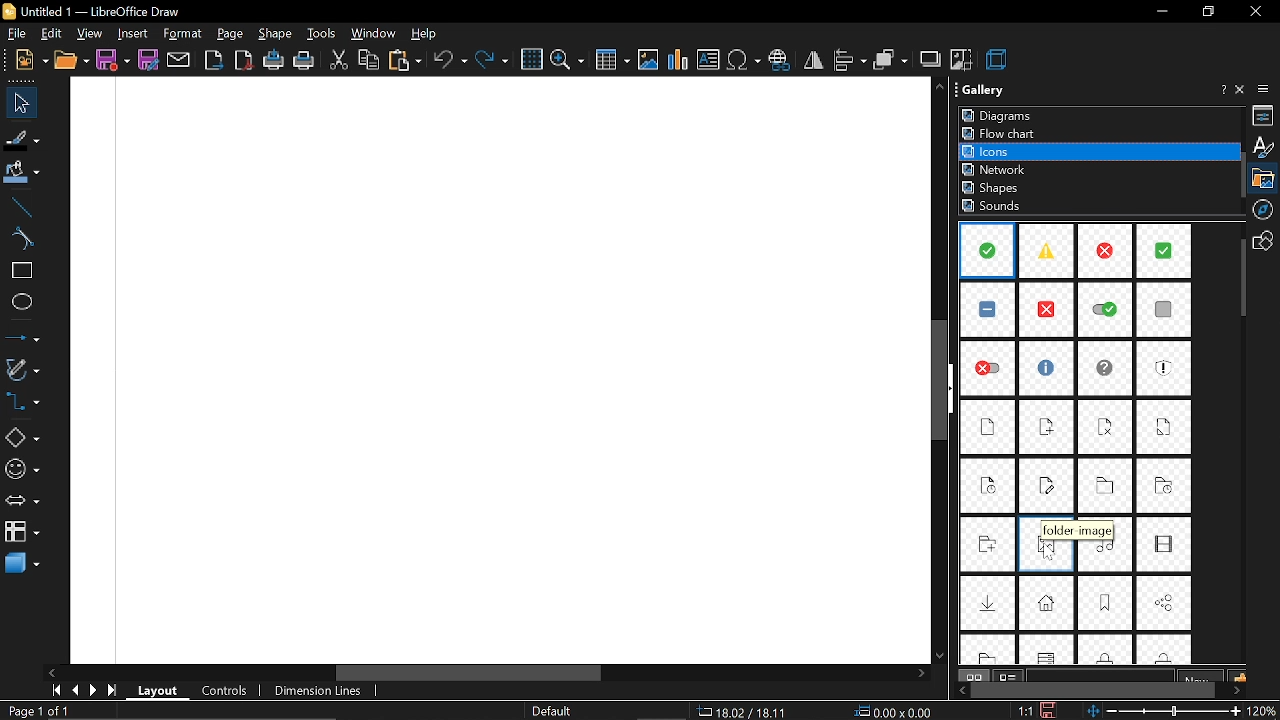 The image size is (1280, 720). I want to click on view, so click(88, 34).